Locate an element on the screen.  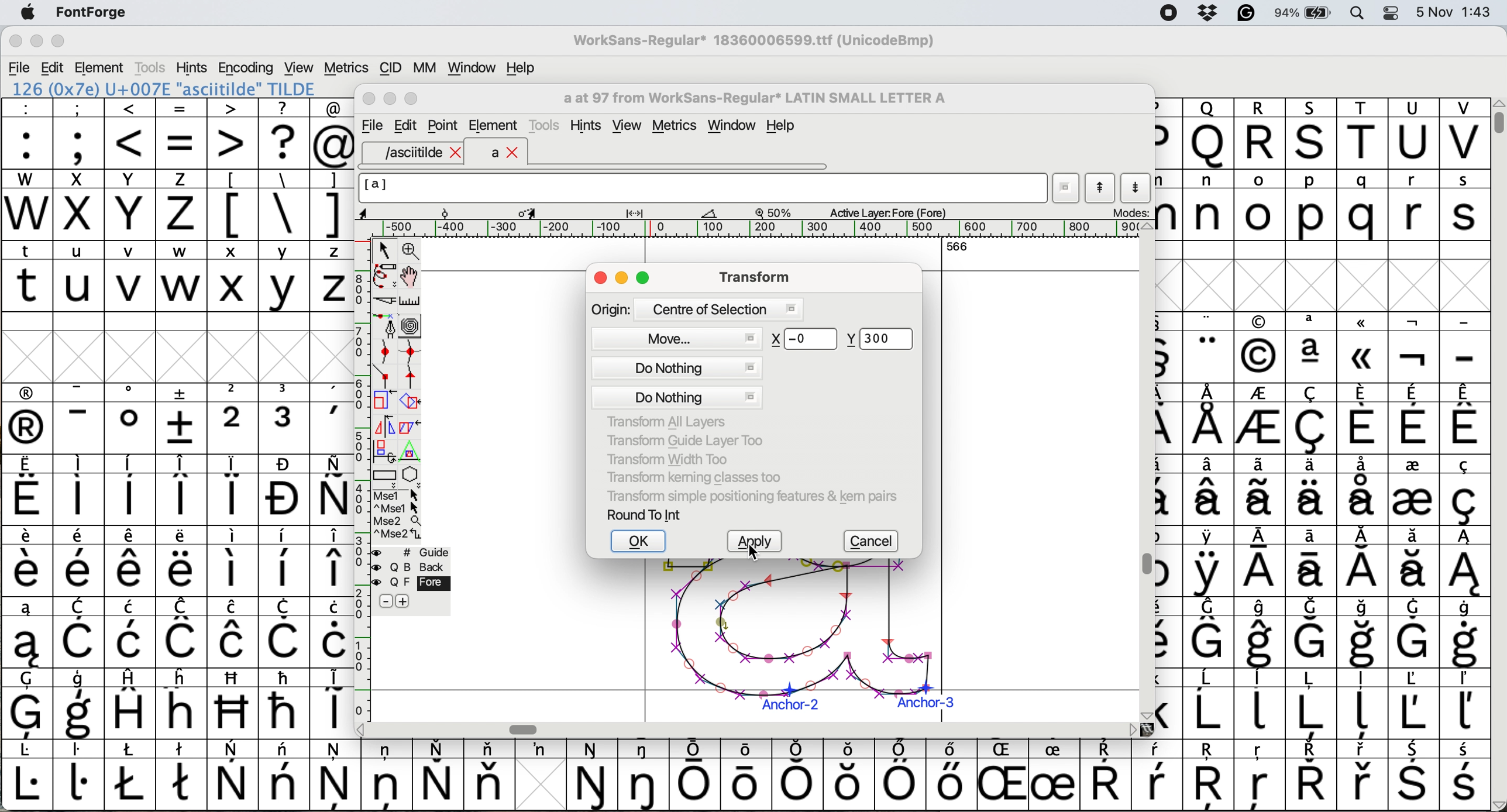
control center is located at coordinates (1395, 12).